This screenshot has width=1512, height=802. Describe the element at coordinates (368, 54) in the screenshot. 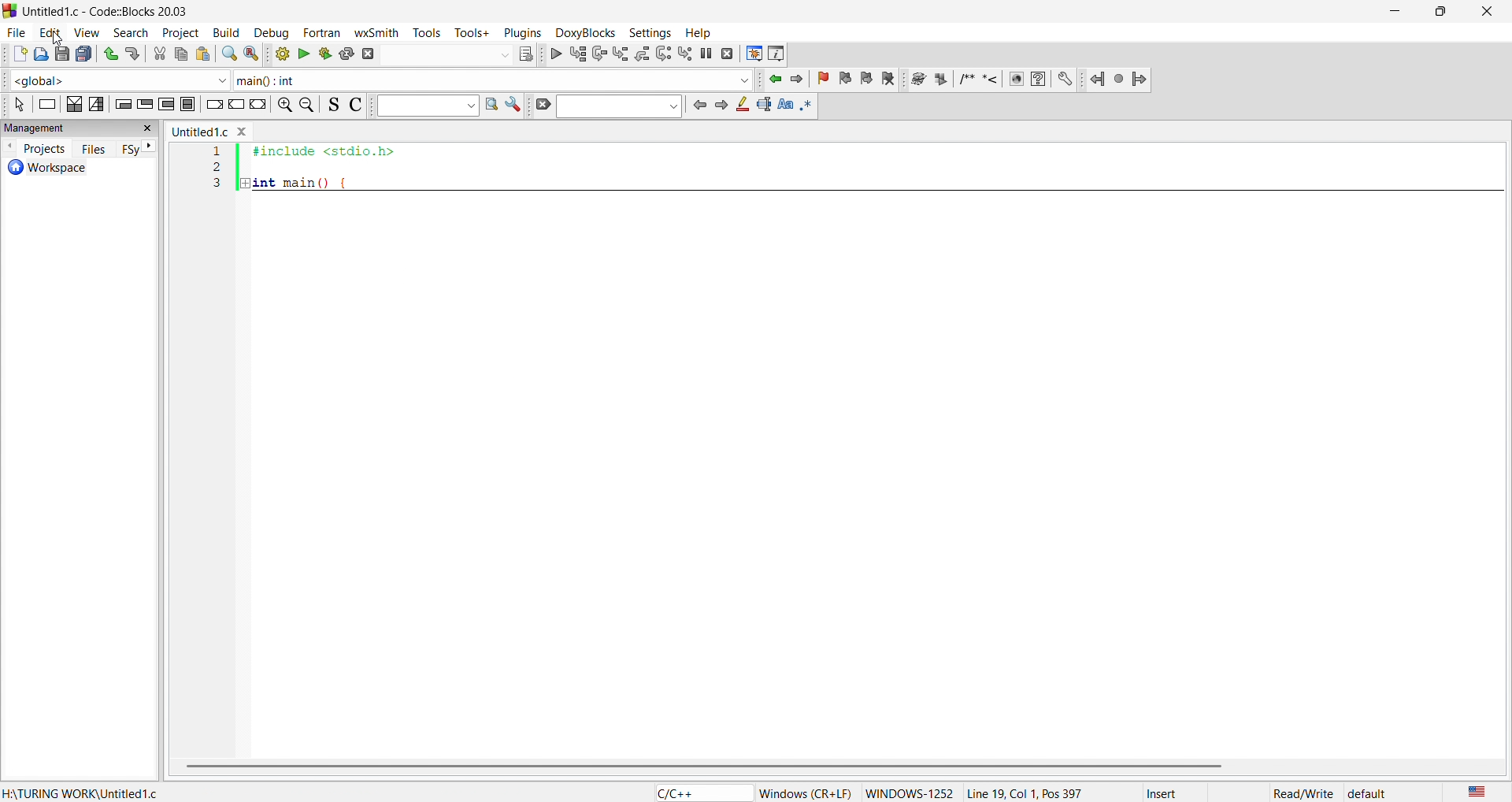

I see `abort` at that location.